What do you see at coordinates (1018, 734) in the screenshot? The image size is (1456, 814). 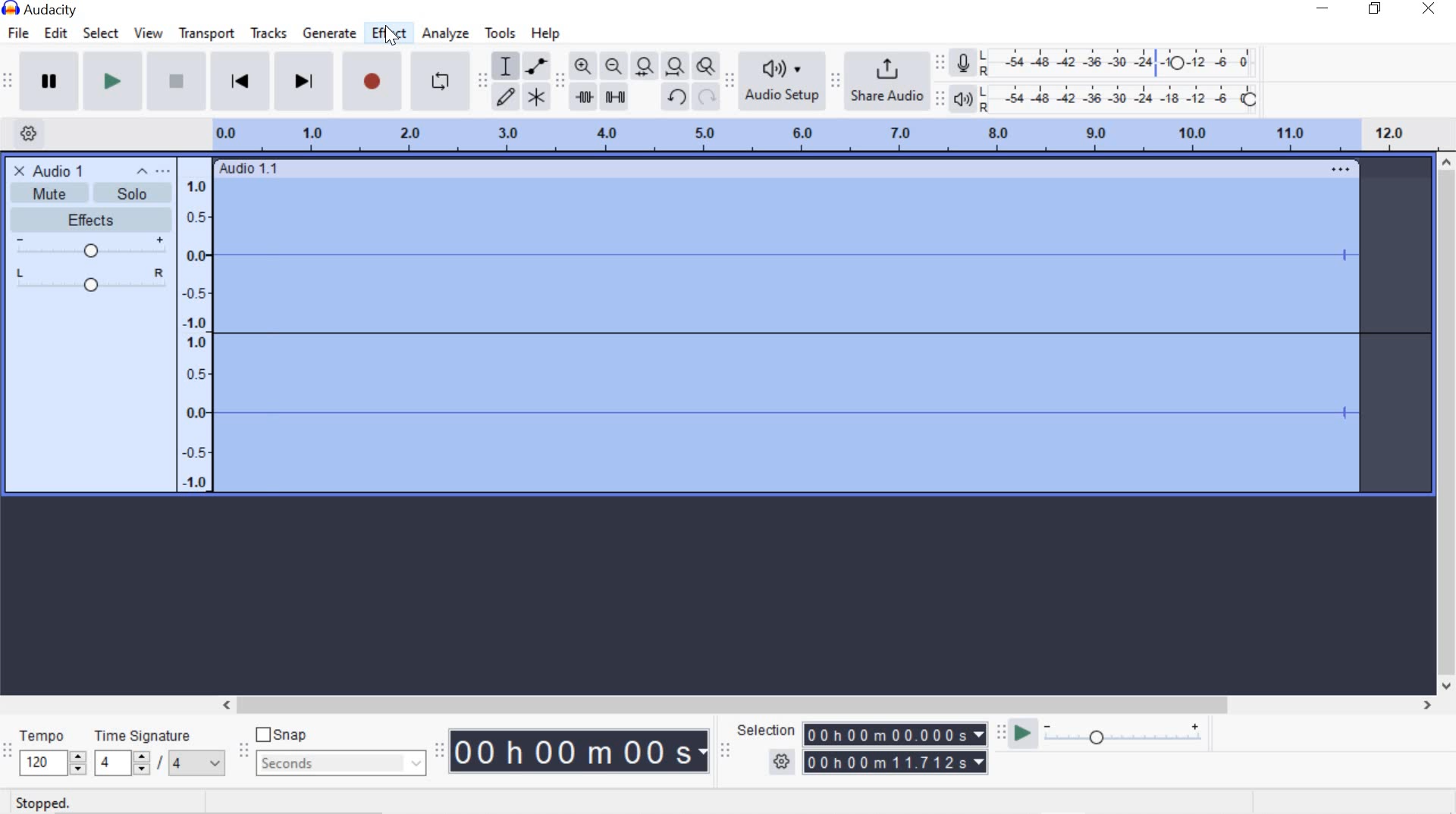 I see `Play-at-speed` at bounding box center [1018, 734].